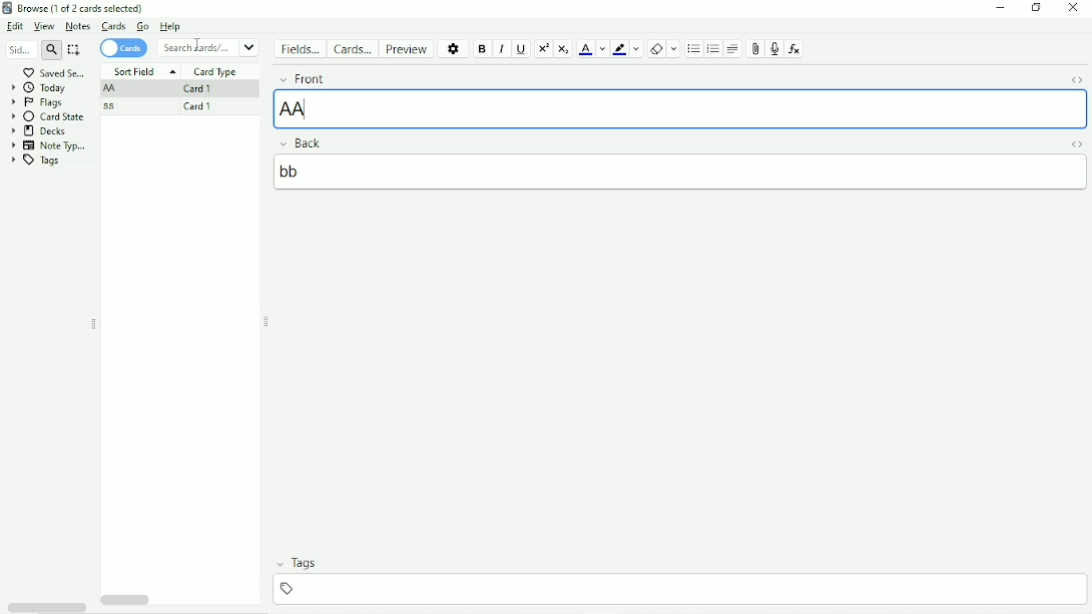 This screenshot has height=614, width=1092. Describe the element at coordinates (18, 51) in the screenshot. I see `Search in sidebar` at that location.